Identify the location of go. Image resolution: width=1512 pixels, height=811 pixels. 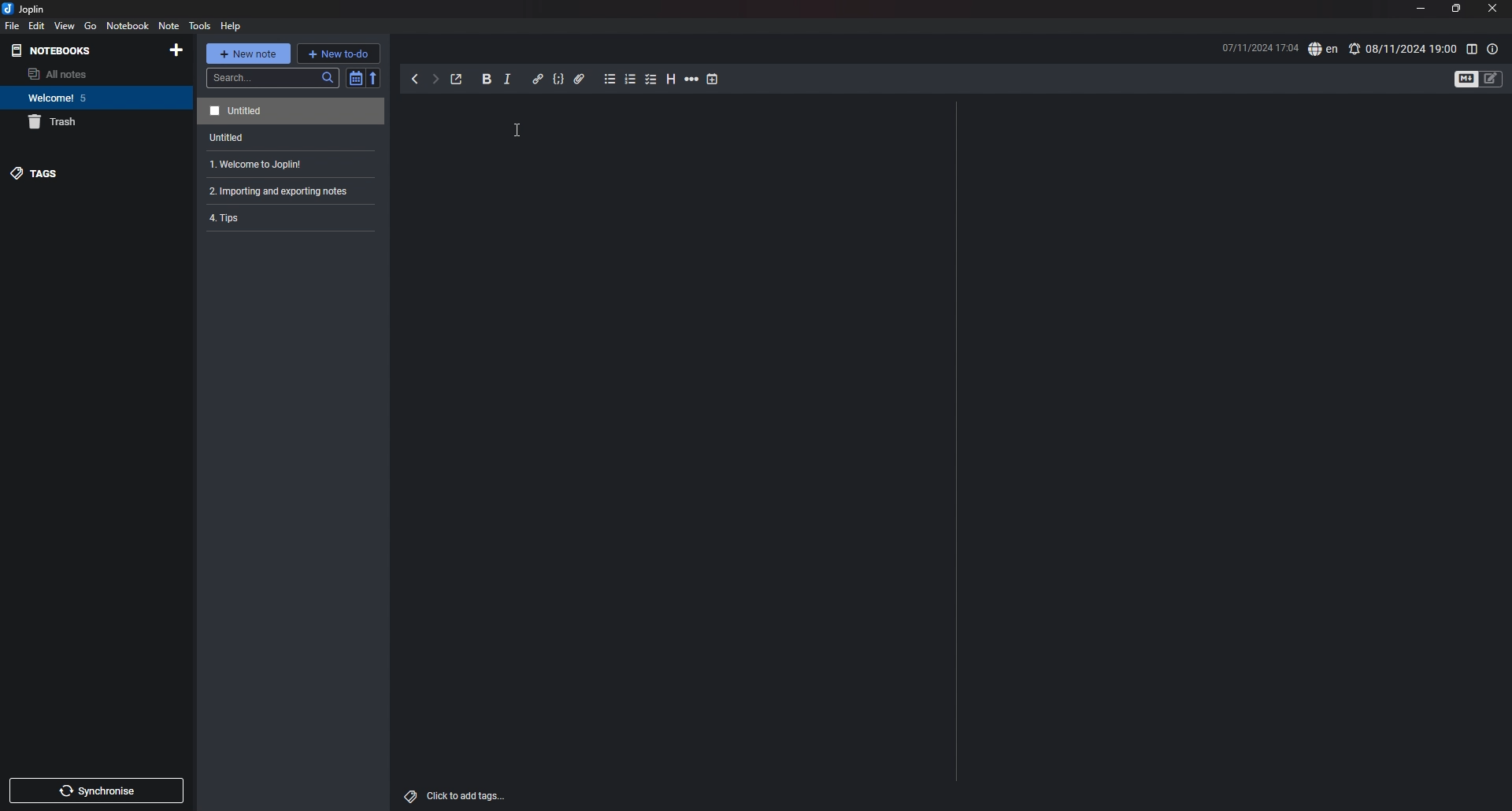
(91, 26).